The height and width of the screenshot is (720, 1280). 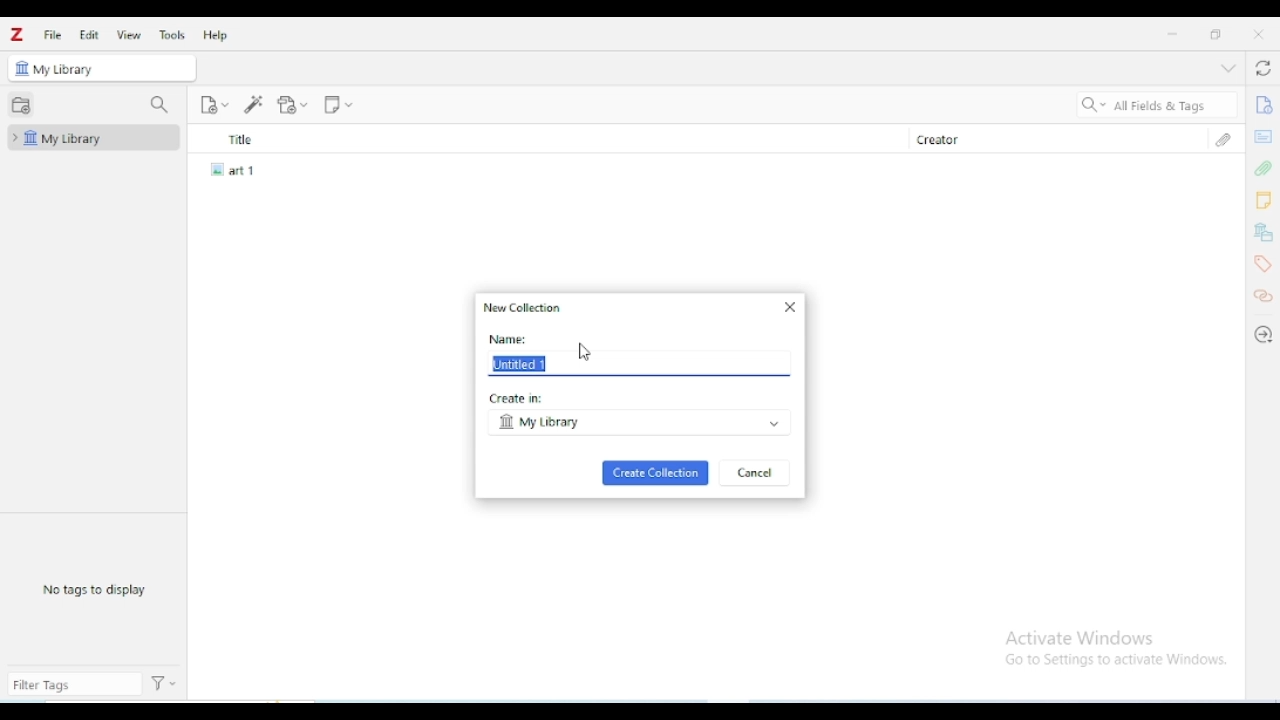 I want to click on cancel, so click(x=756, y=473).